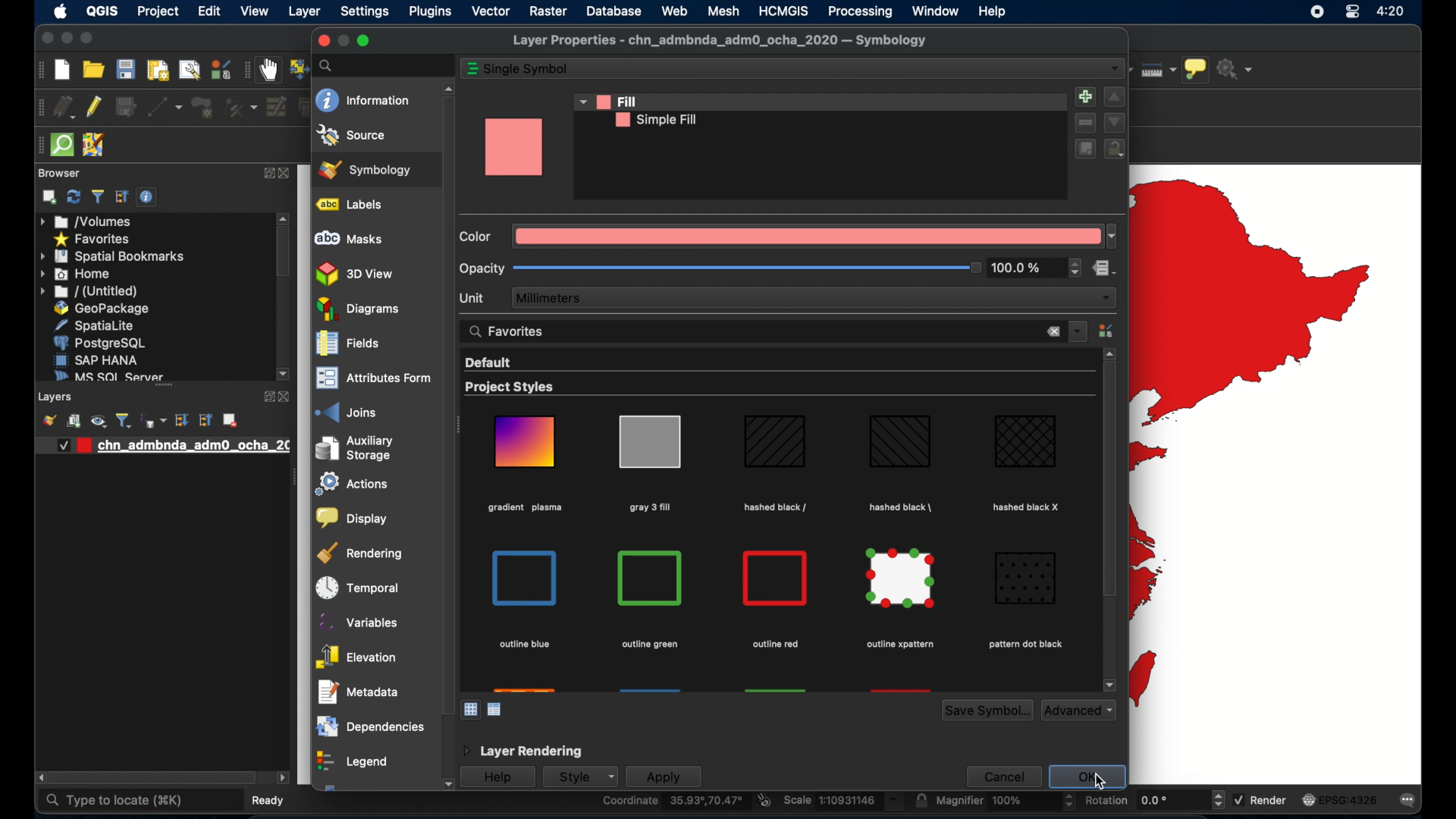 The height and width of the screenshot is (819, 1456). Describe the element at coordinates (350, 519) in the screenshot. I see `display` at that location.